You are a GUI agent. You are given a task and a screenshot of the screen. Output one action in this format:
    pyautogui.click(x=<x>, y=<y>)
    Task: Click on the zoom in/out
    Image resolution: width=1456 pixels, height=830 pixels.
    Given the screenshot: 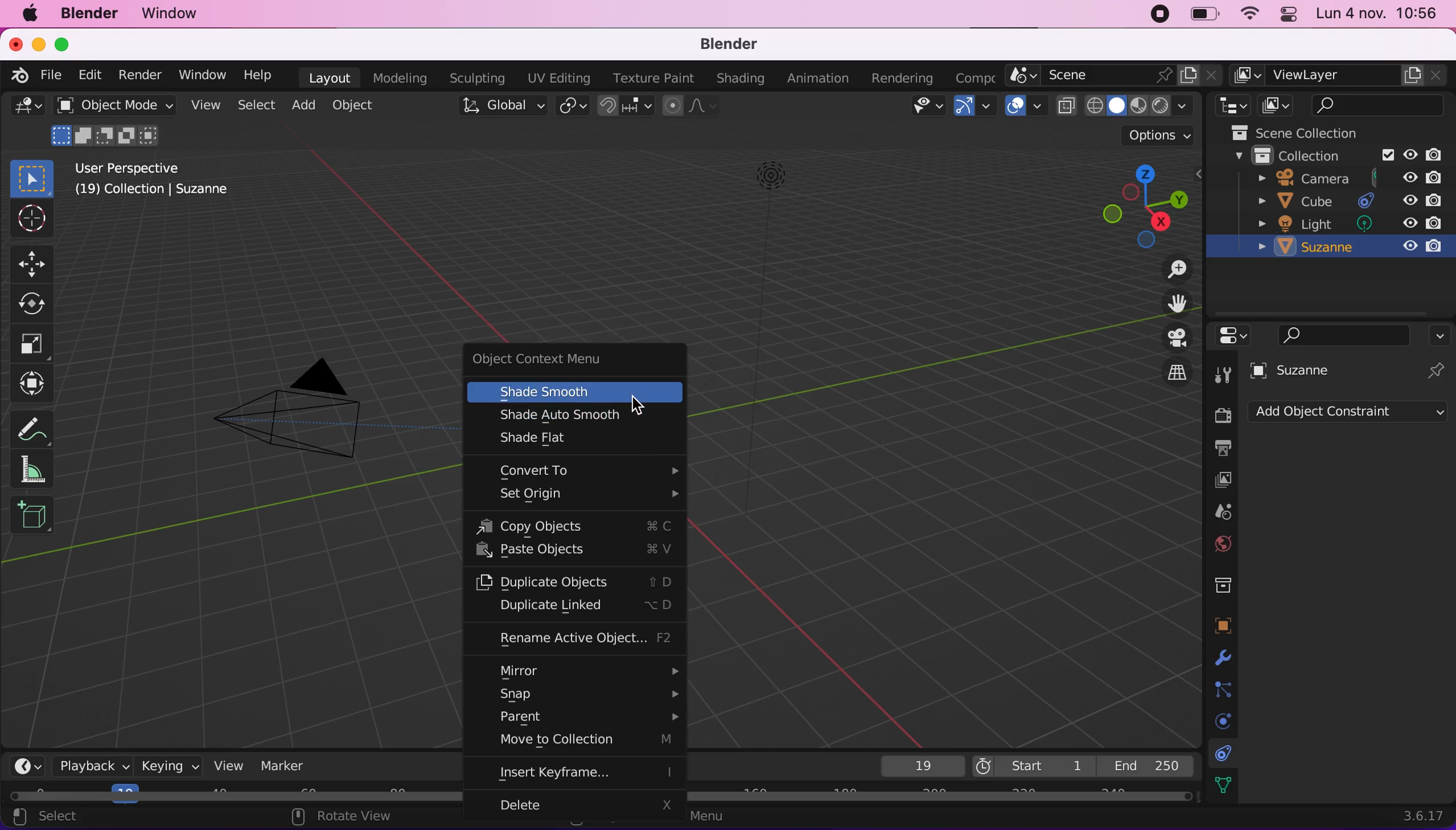 What is the action you would take?
    pyautogui.click(x=1172, y=268)
    